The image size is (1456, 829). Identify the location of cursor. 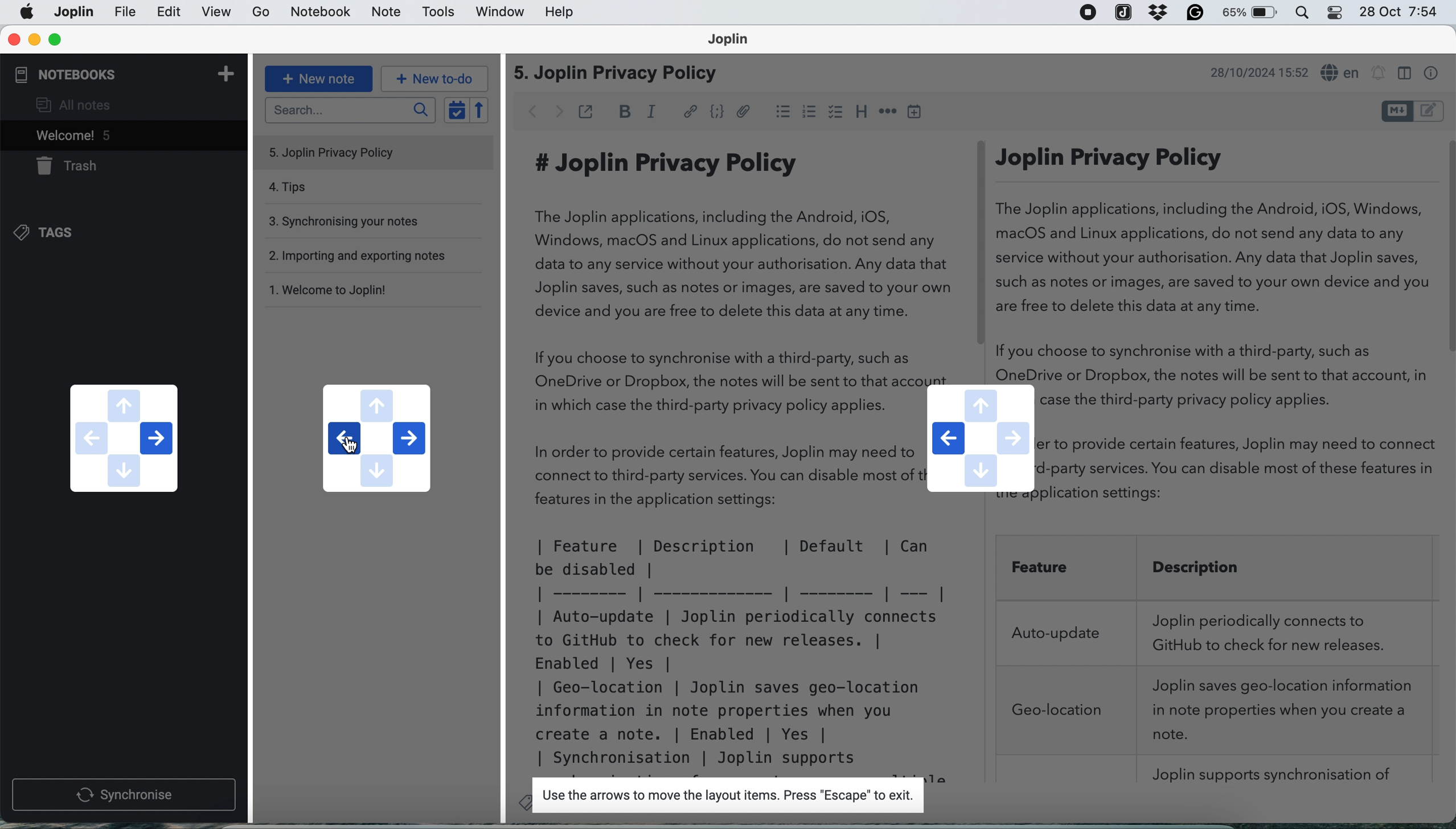
(351, 445).